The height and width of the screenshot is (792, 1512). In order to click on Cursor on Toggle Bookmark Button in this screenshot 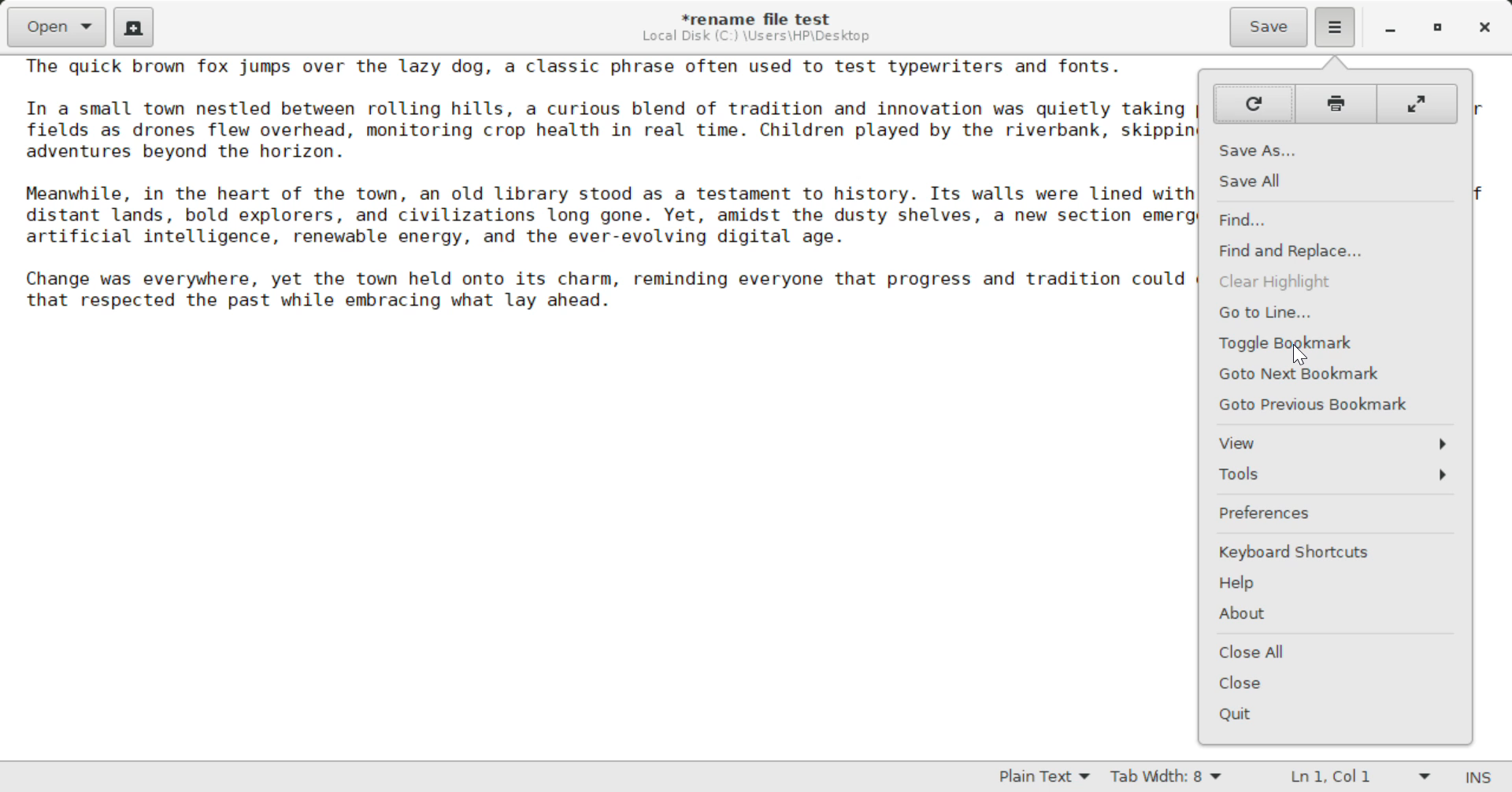, I will do `click(1336, 345)`.